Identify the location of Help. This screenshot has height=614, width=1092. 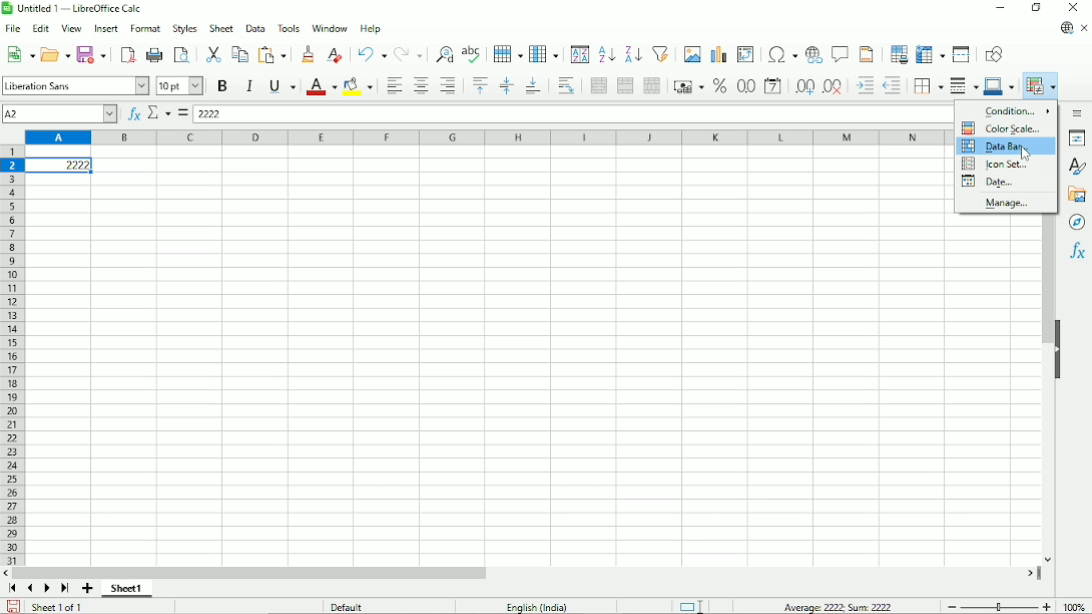
(371, 29).